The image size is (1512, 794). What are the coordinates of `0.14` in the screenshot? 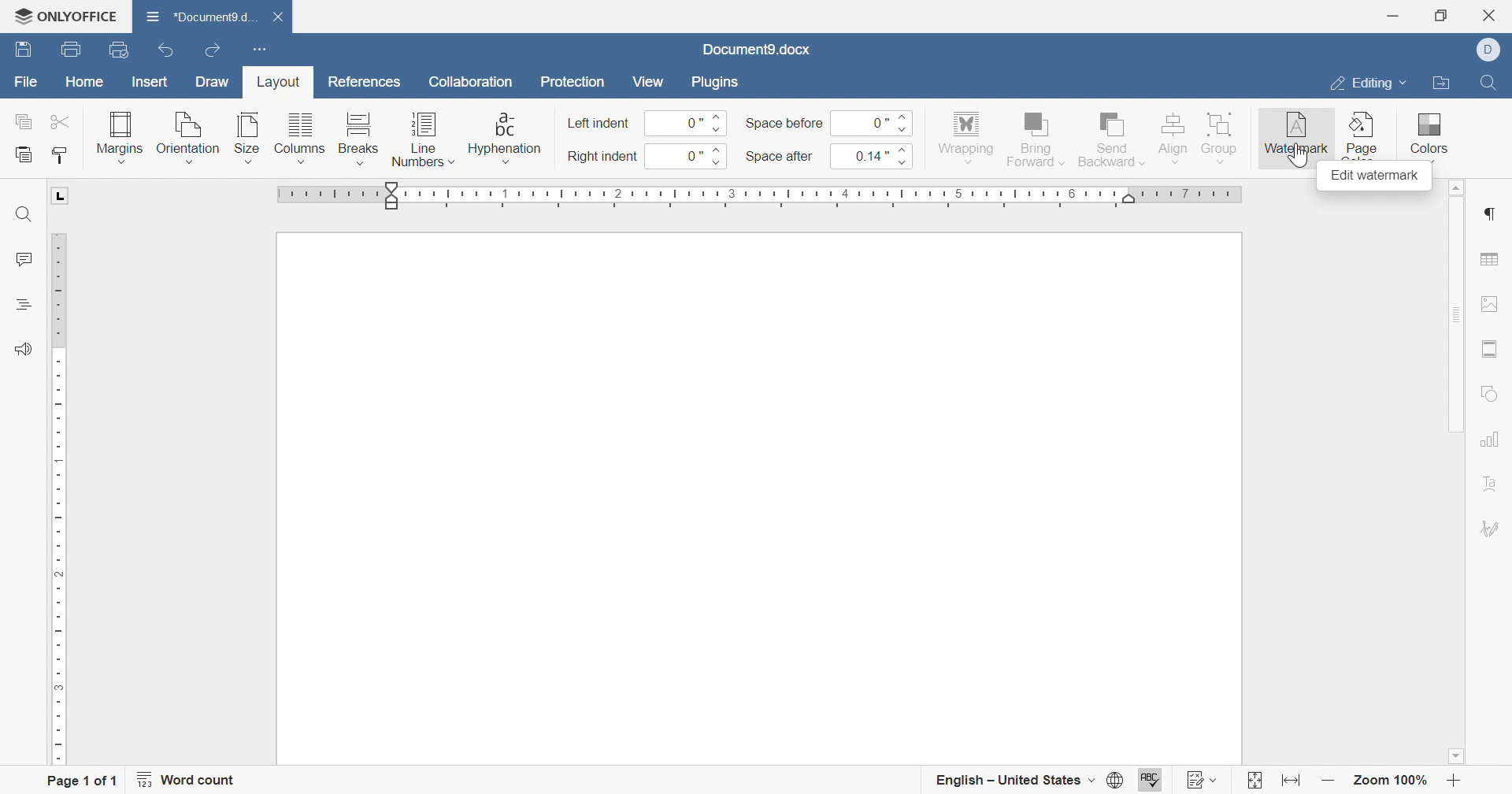 It's located at (869, 155).